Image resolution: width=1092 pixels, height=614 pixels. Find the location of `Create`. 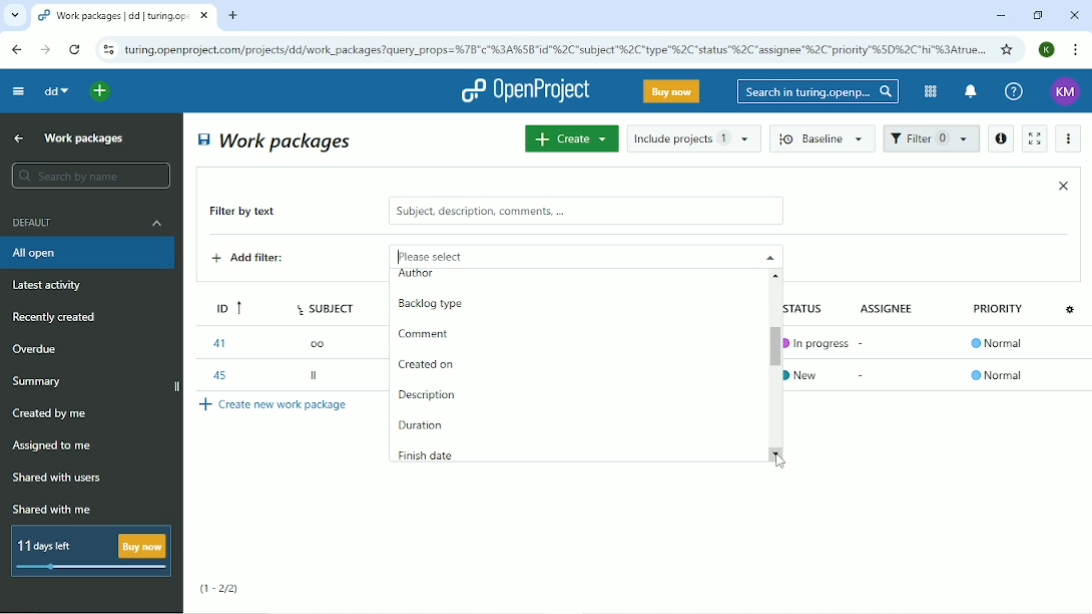

Create is located at coordinates (571, 138).